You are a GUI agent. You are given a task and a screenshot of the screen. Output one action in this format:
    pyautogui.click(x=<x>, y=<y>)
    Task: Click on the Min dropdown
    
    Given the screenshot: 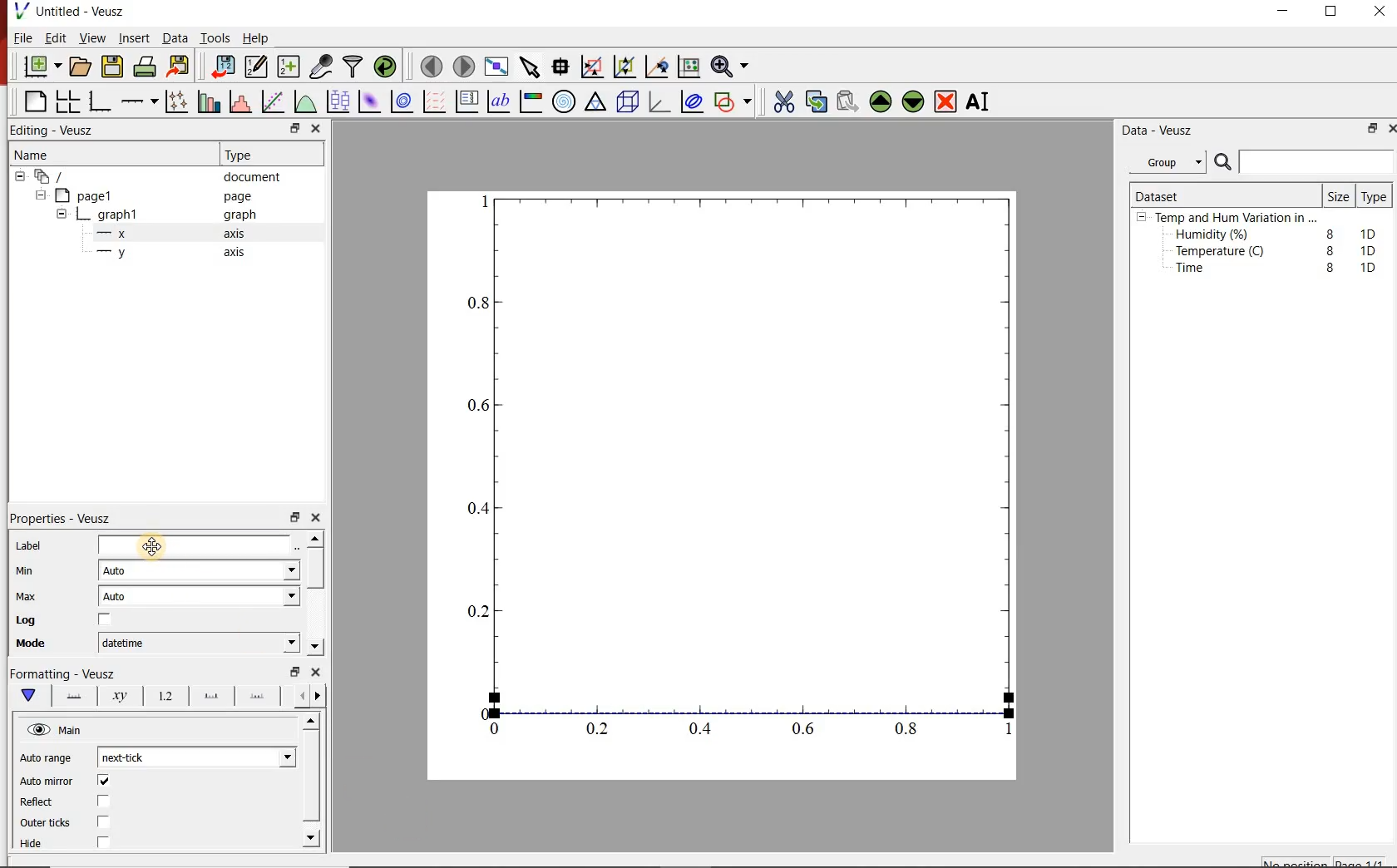 What is the action you would take?
    pyautogui.click(x=273, y=572)
    